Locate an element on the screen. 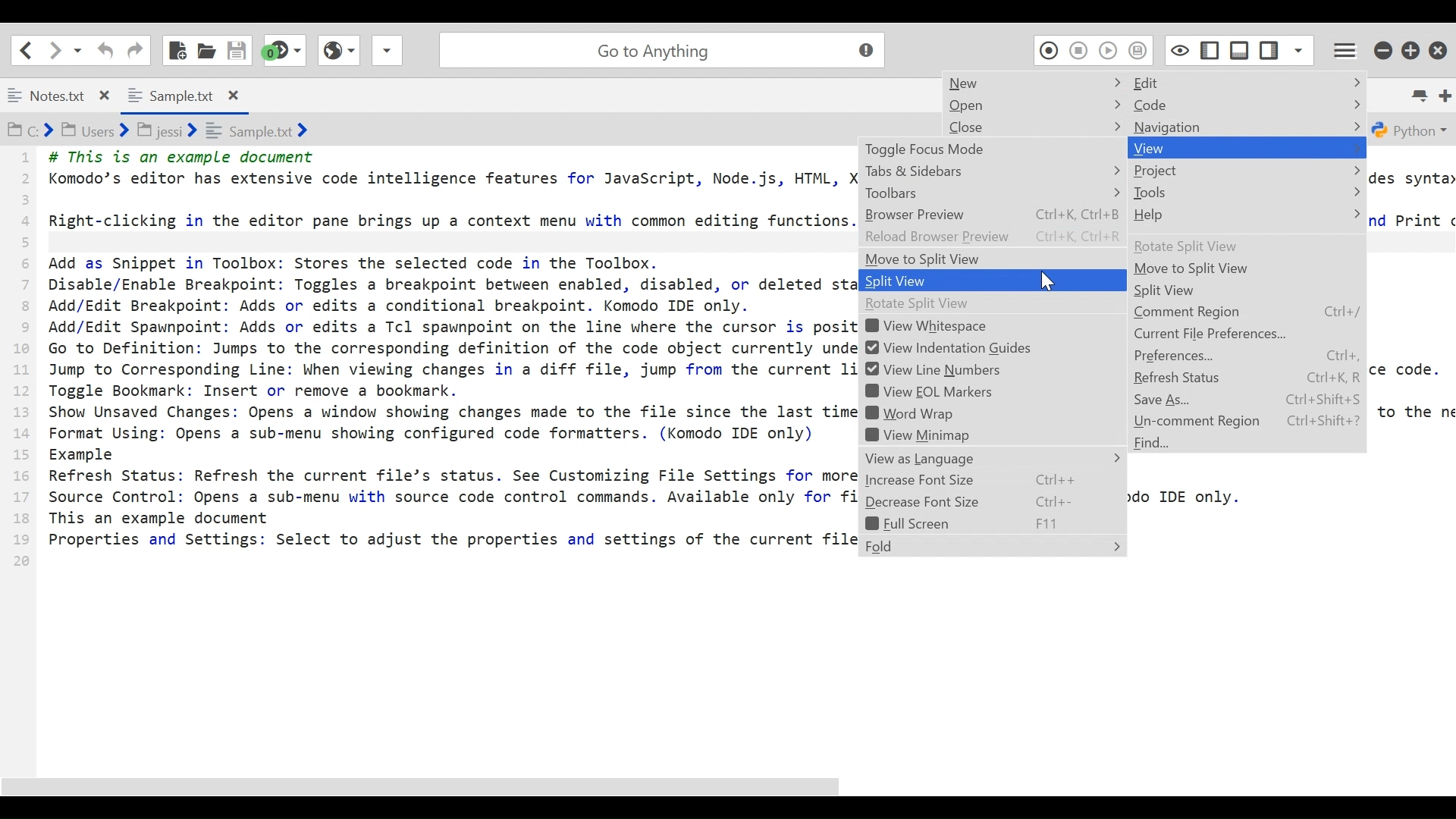  Scroll bar is located at coordinates (727, 783).